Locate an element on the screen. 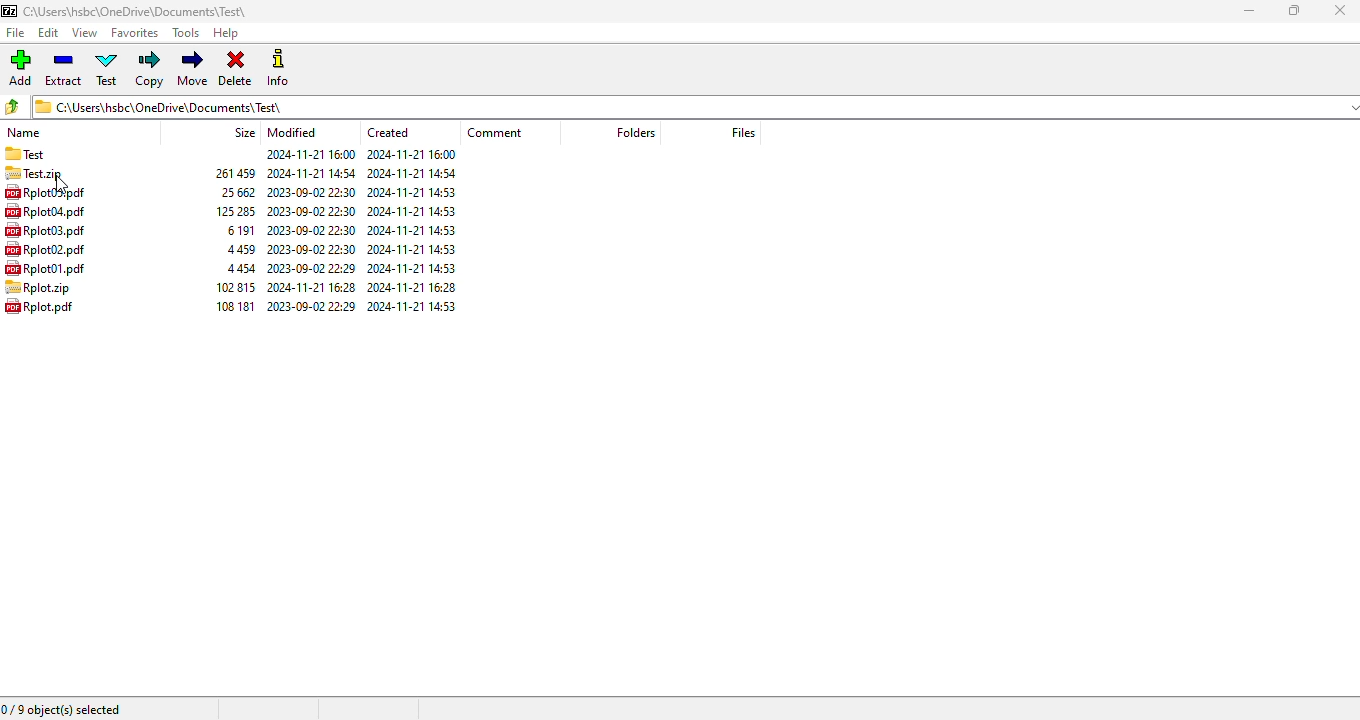 This screenshot has width=1360, height=720. copy is located at coordinates (151, 70).